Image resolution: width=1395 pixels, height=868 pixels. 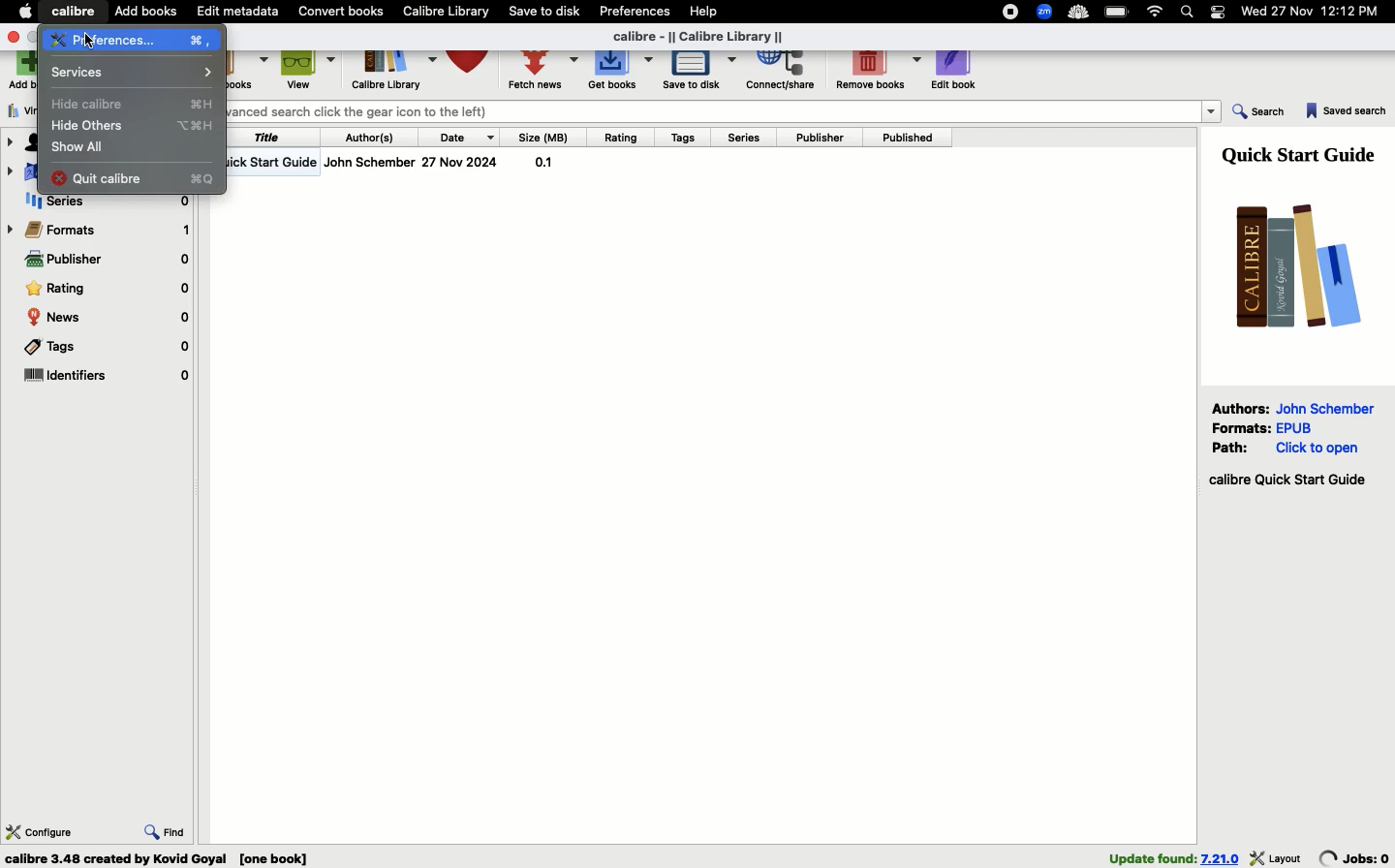 I want to click on Save to disk, so click(x=545, y=10).